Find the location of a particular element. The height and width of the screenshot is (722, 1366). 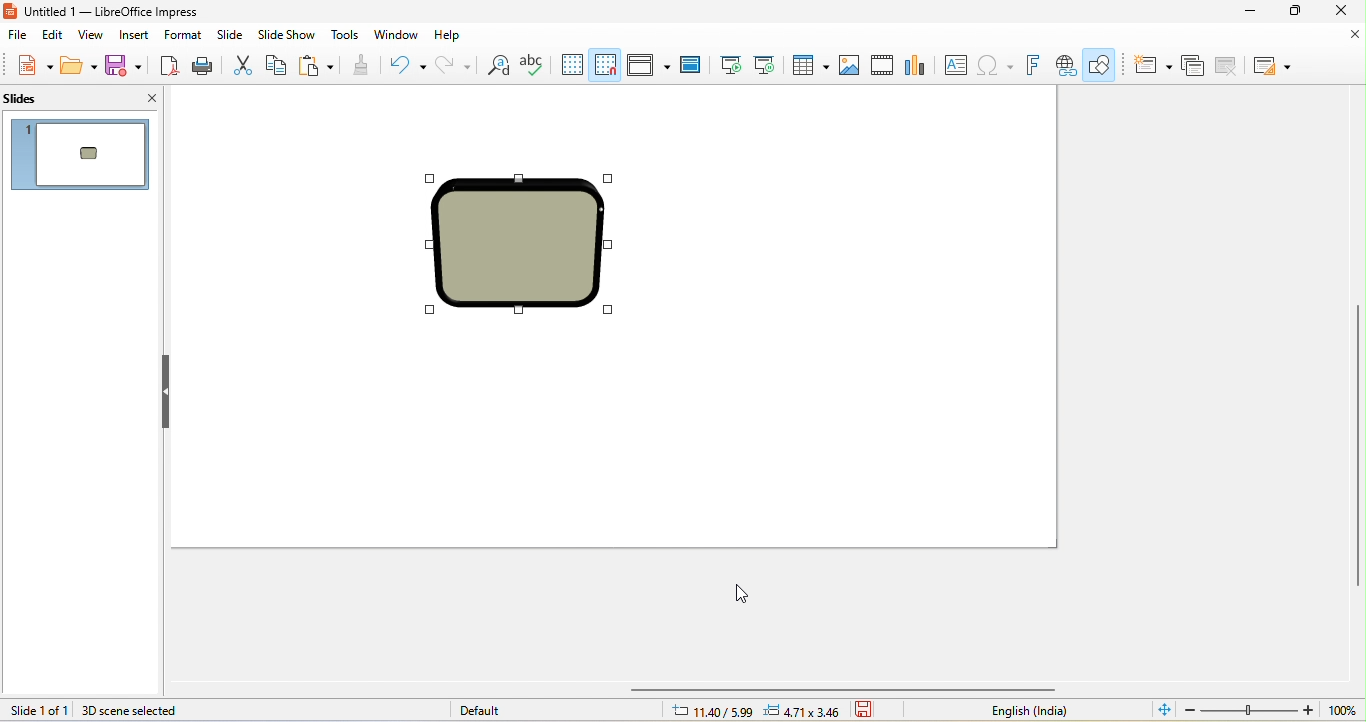

vedio is located at coordinates (886, 65).